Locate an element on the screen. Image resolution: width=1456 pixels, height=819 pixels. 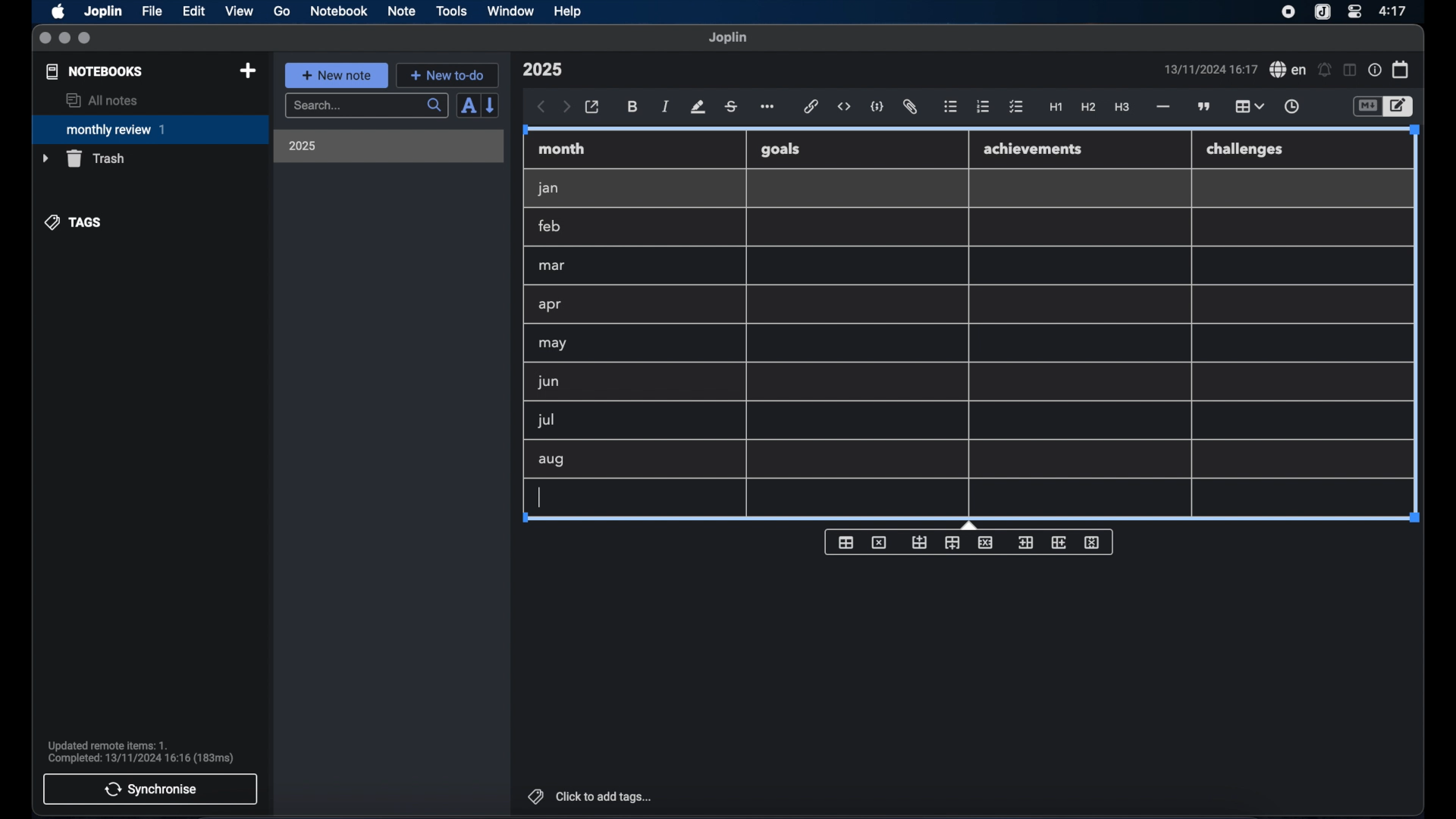
code is located at coordinates (877, 108).